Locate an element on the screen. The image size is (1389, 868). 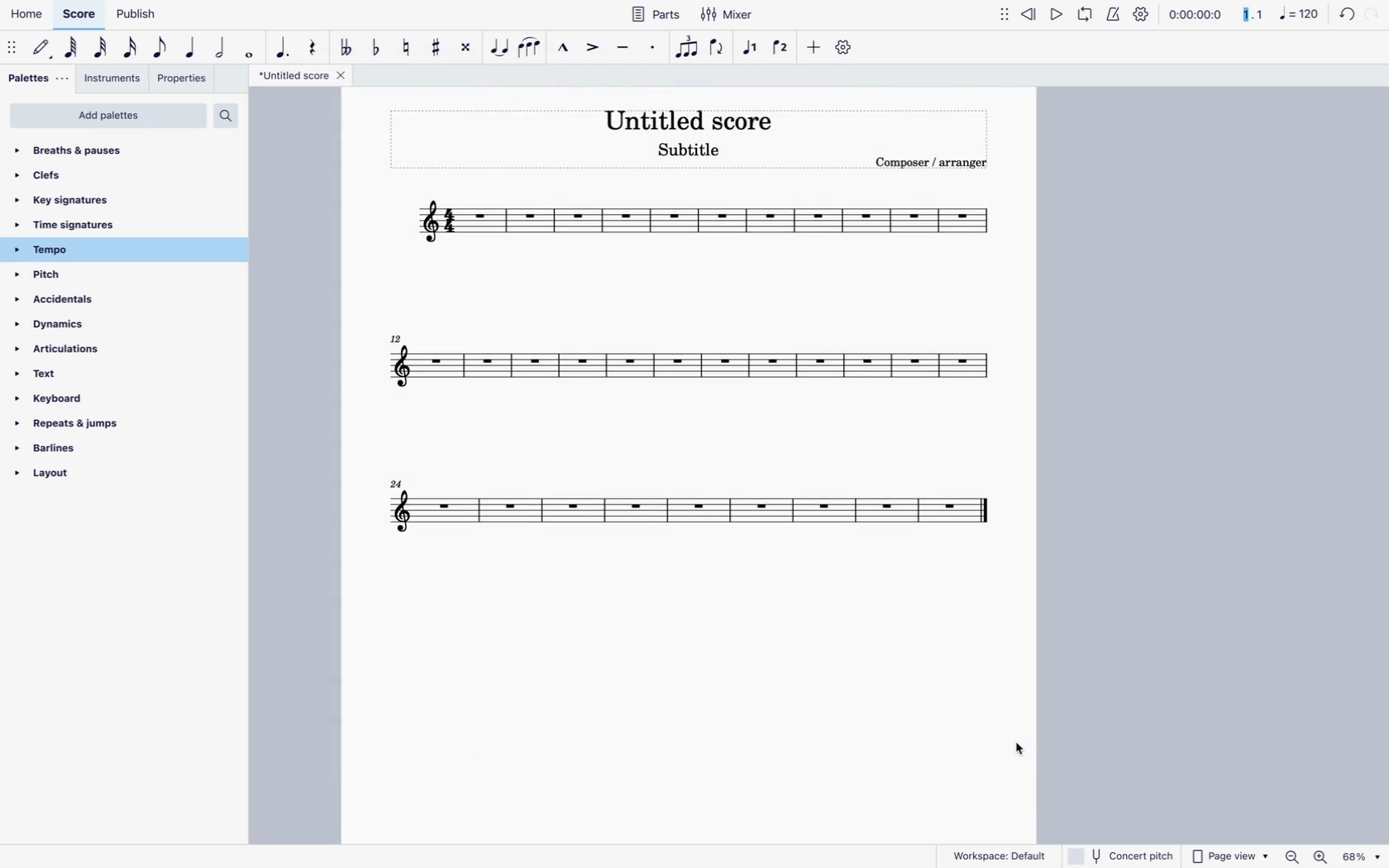
zoom is located at coordinates (1331, 857).